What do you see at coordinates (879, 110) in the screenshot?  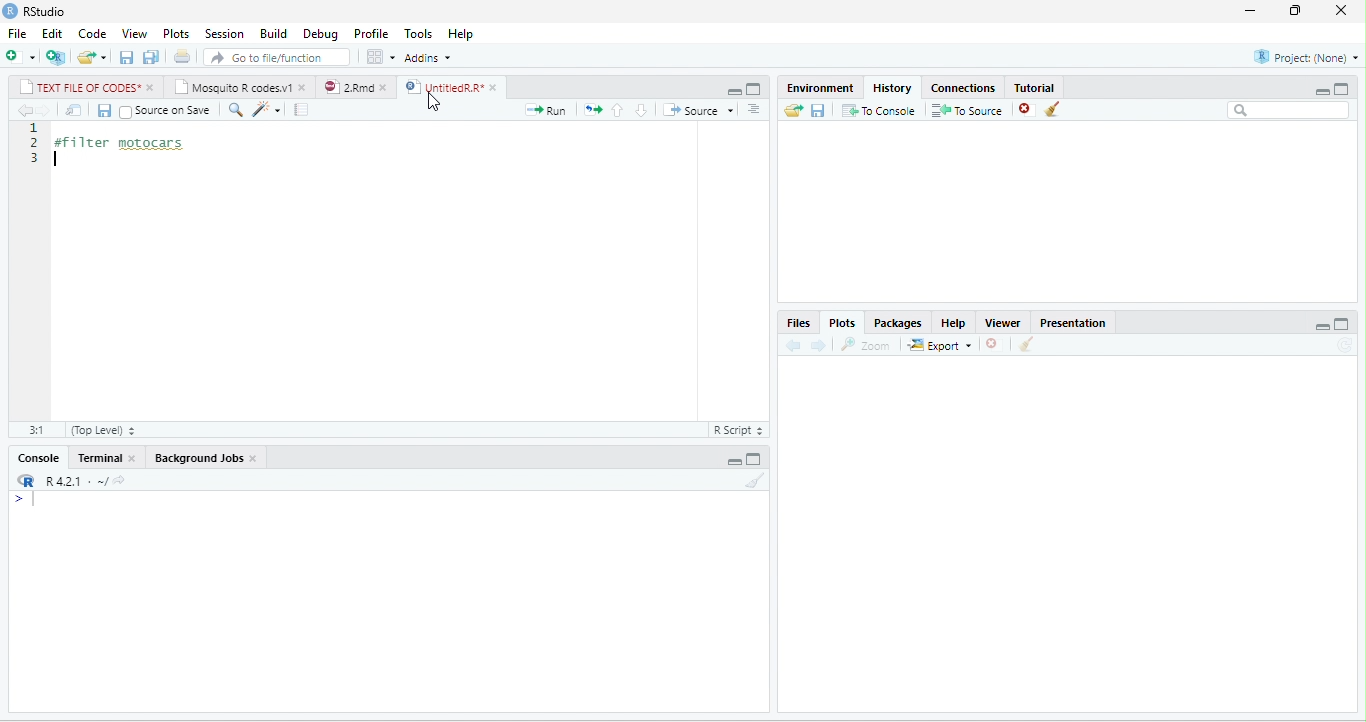 I see `To console` at bounding box center [879, 110].